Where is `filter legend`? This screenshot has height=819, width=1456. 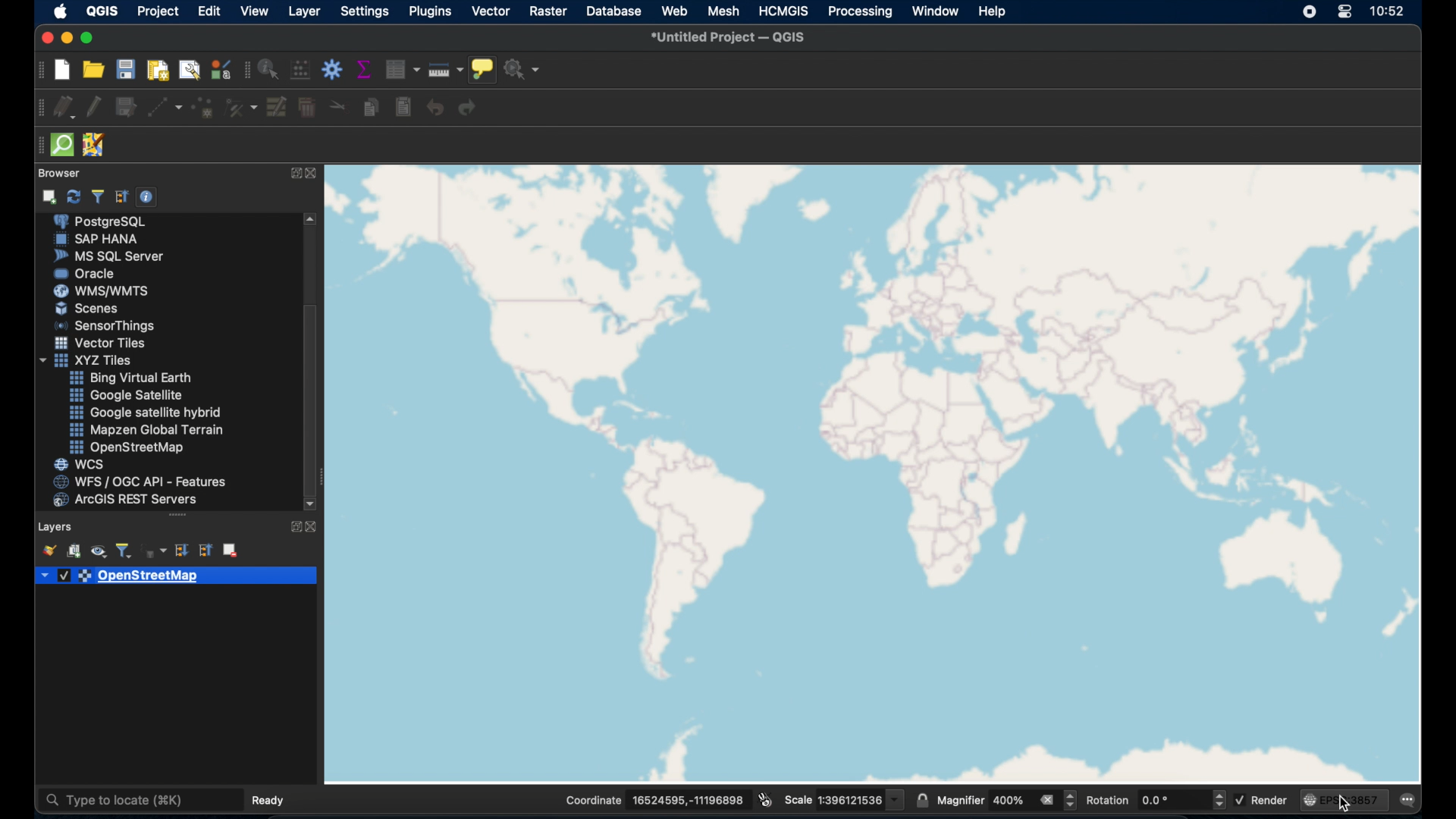
filter legend is located at coordinates (125, 549).